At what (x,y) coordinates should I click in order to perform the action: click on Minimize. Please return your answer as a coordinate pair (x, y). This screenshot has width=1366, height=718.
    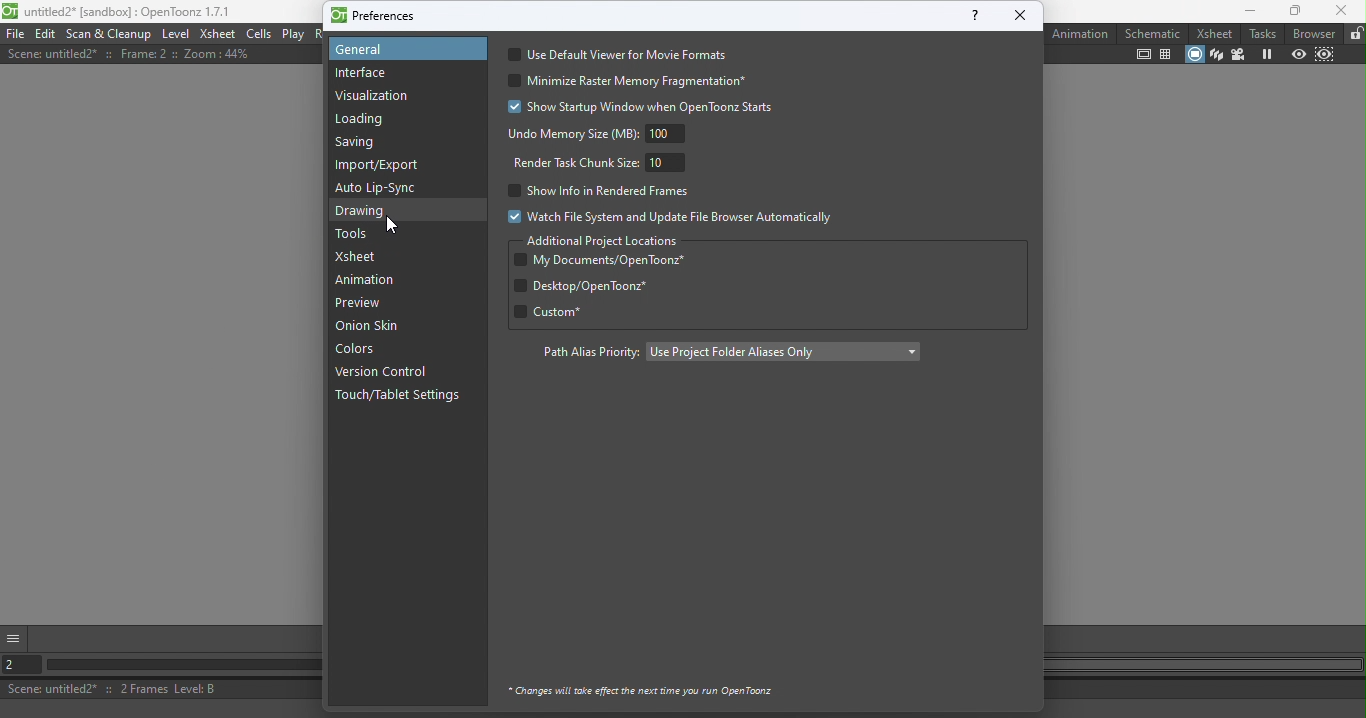
    Looking at the image, I should click on (1239, 12).